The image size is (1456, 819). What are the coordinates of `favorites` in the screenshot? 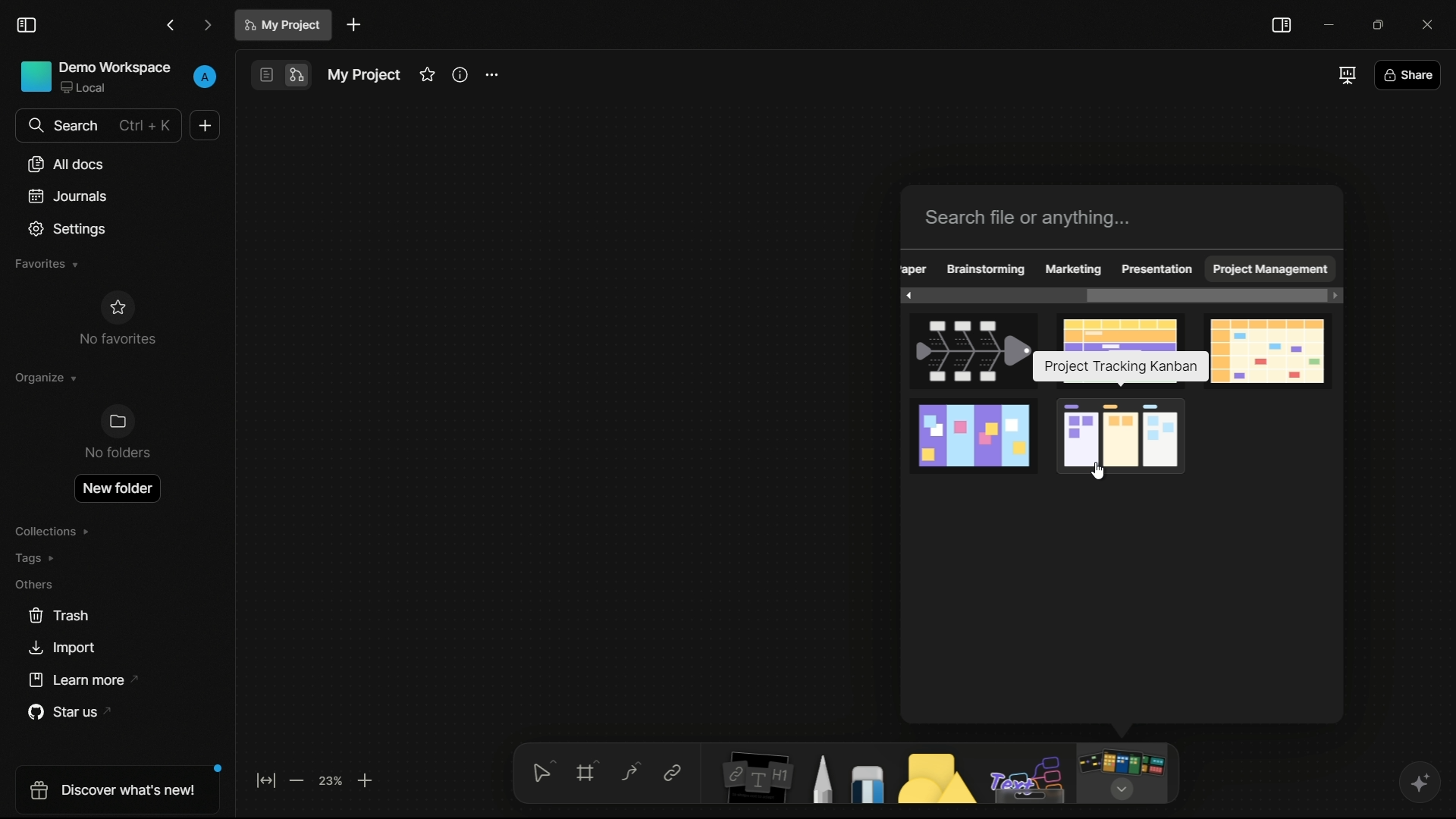 It's located at (45, 264).